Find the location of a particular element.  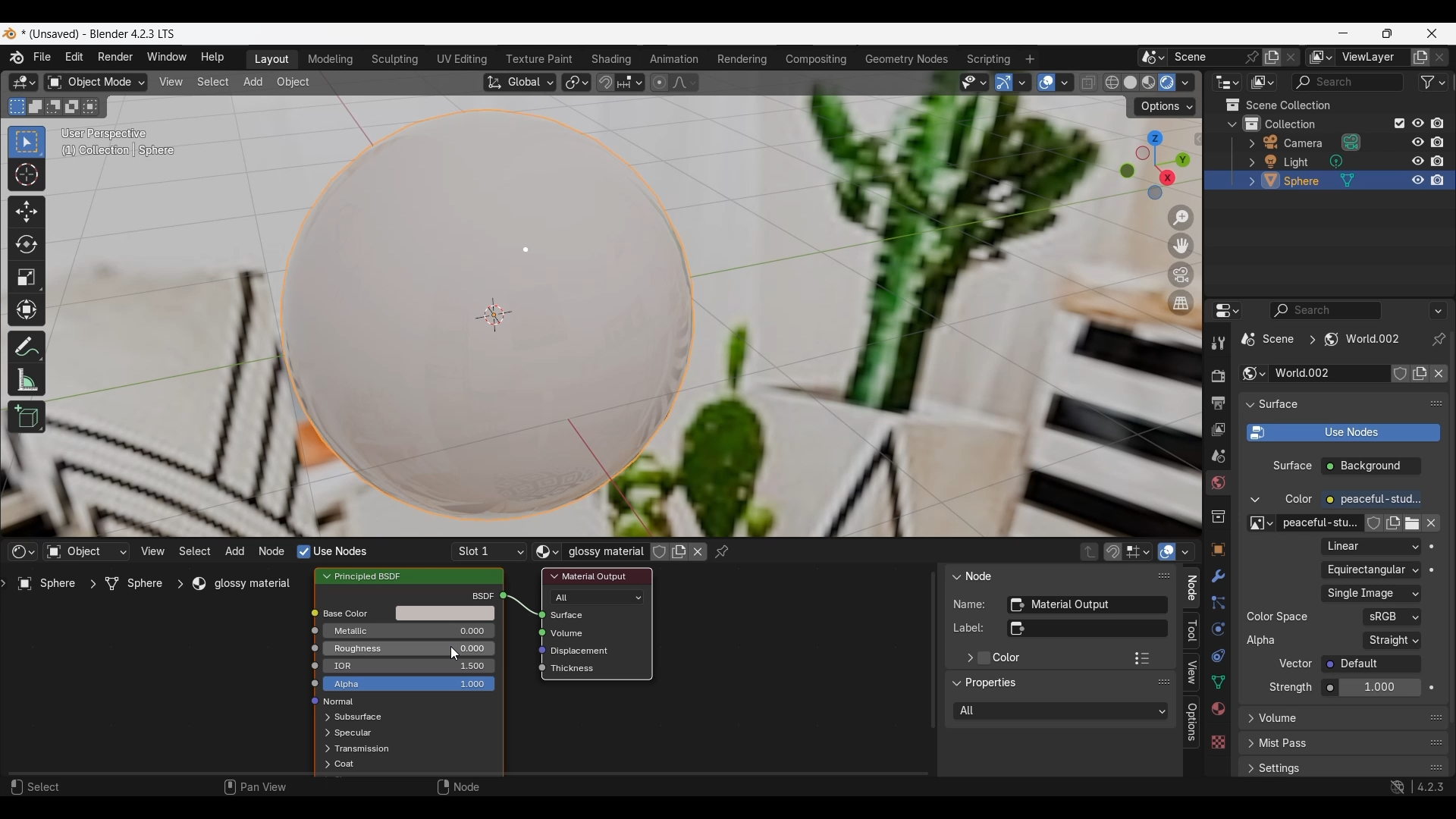

Zoom in/out is located at coordinates (1181, 218).